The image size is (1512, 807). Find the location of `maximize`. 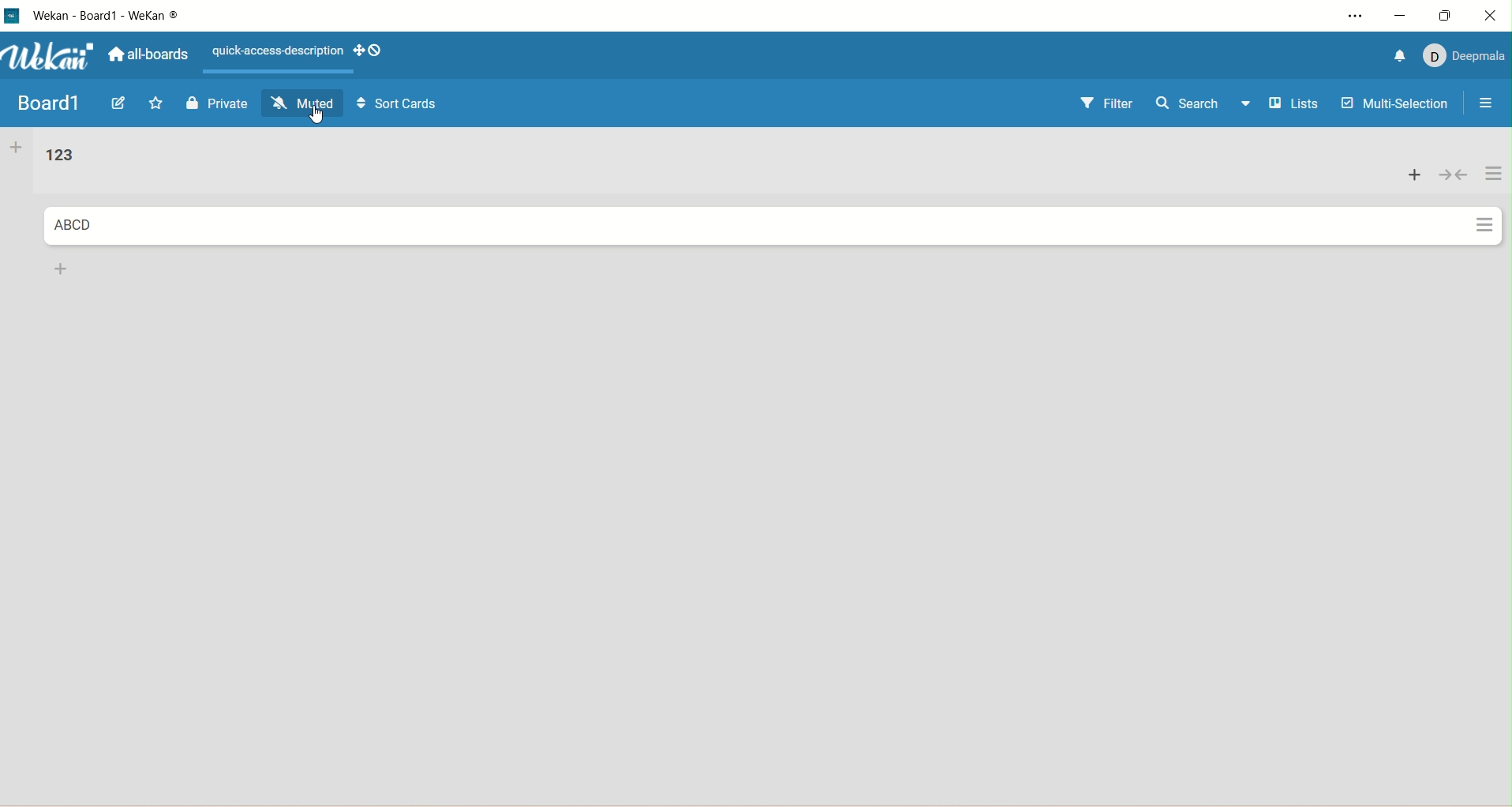

maximize is located at coordinates (1450, 14).